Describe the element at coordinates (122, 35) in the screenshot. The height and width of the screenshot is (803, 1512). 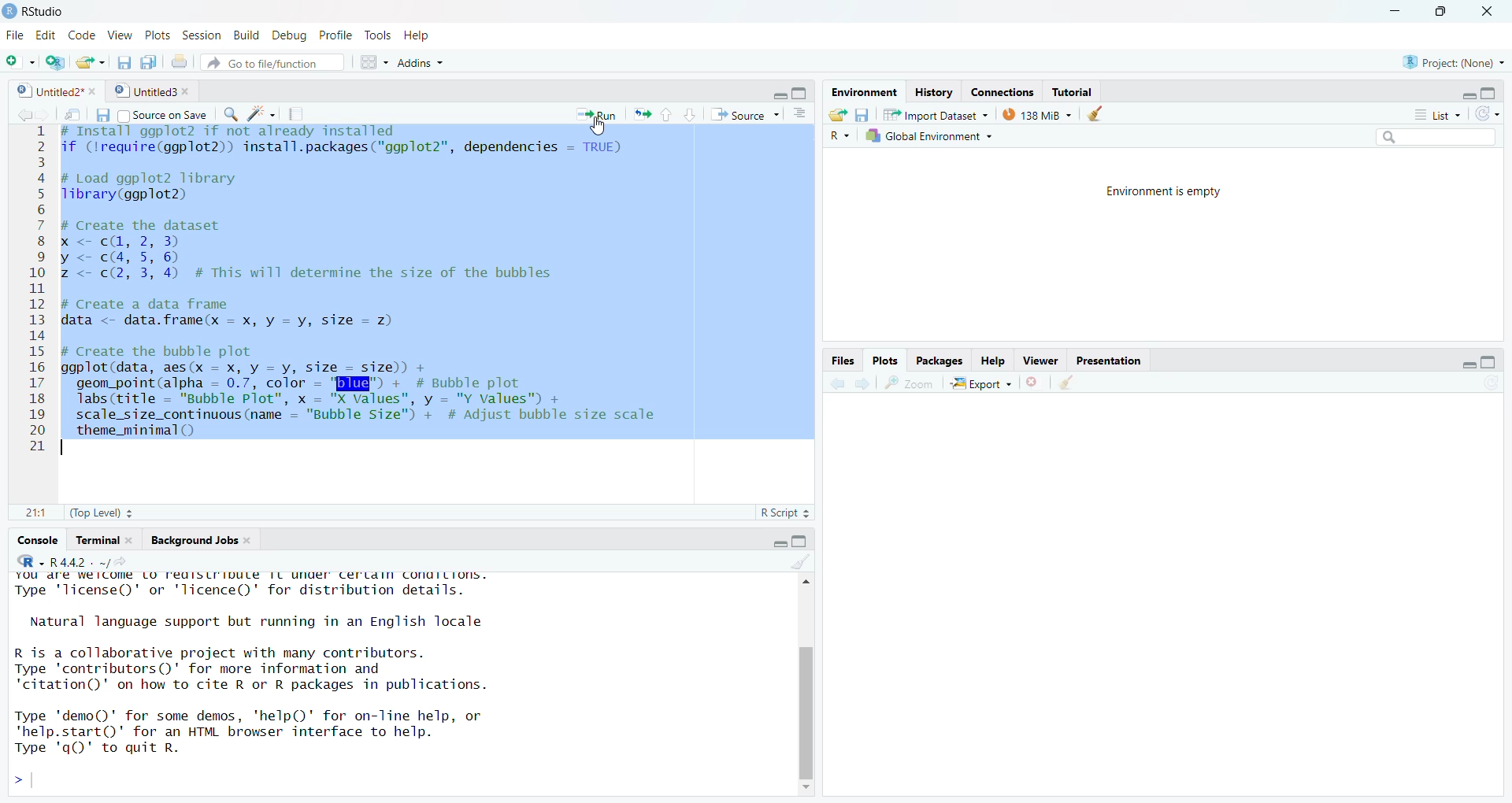
I see `> View` at that location.